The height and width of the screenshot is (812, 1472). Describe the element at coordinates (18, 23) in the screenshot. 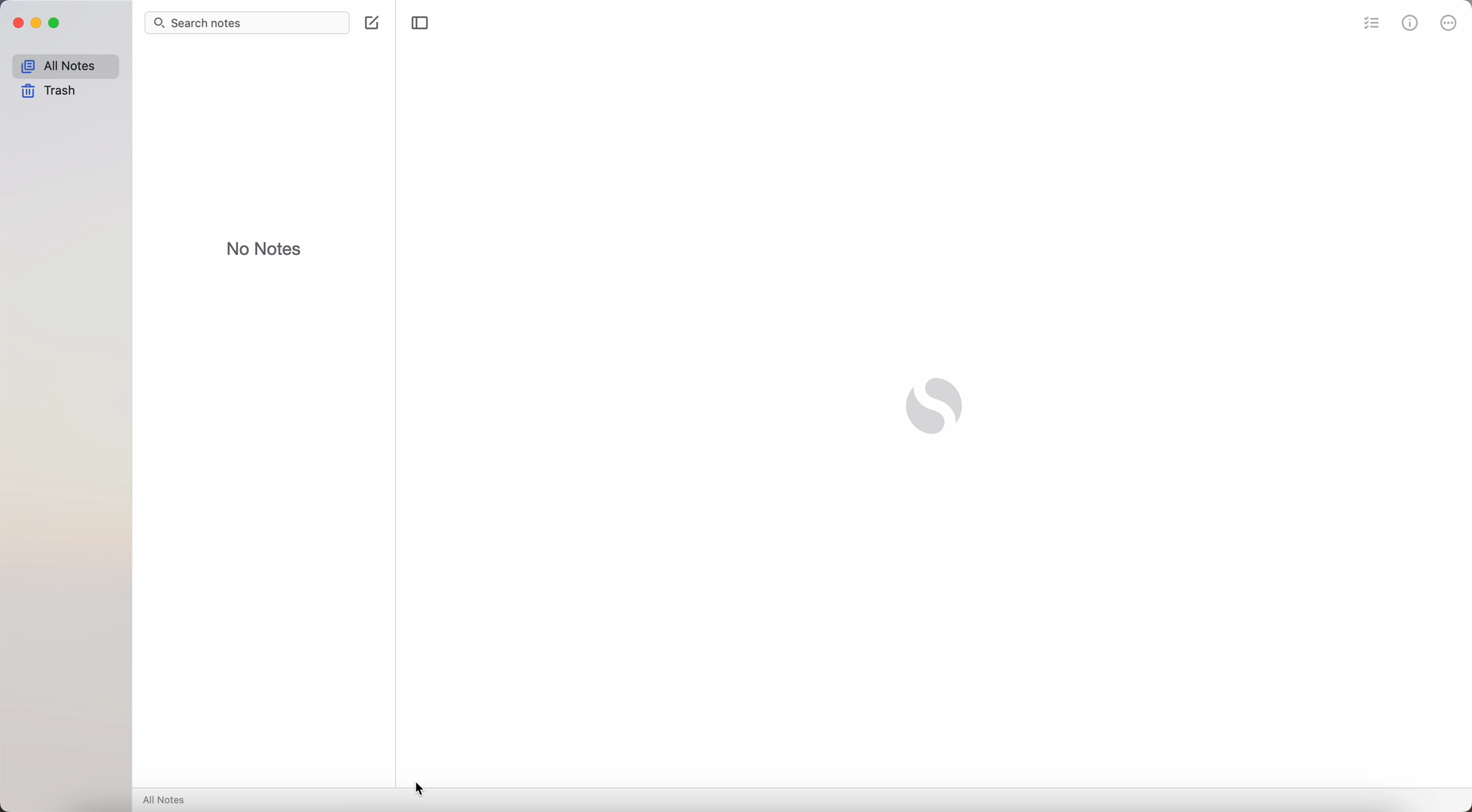

I see `close Simplenote` at that location.